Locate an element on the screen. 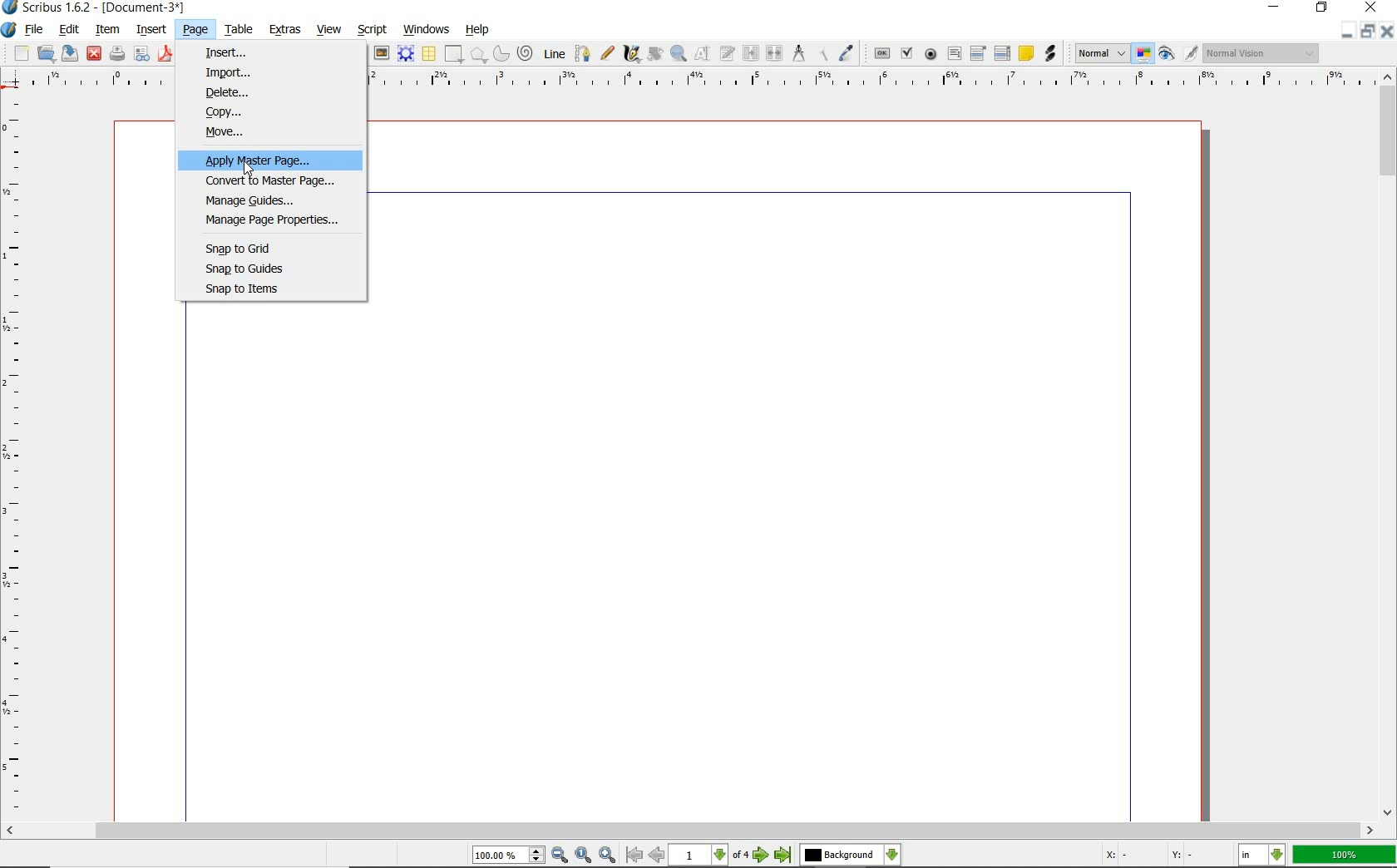 This screenshot has height=868, width=1397. Cursor Position is located at coordinates (248, 170).